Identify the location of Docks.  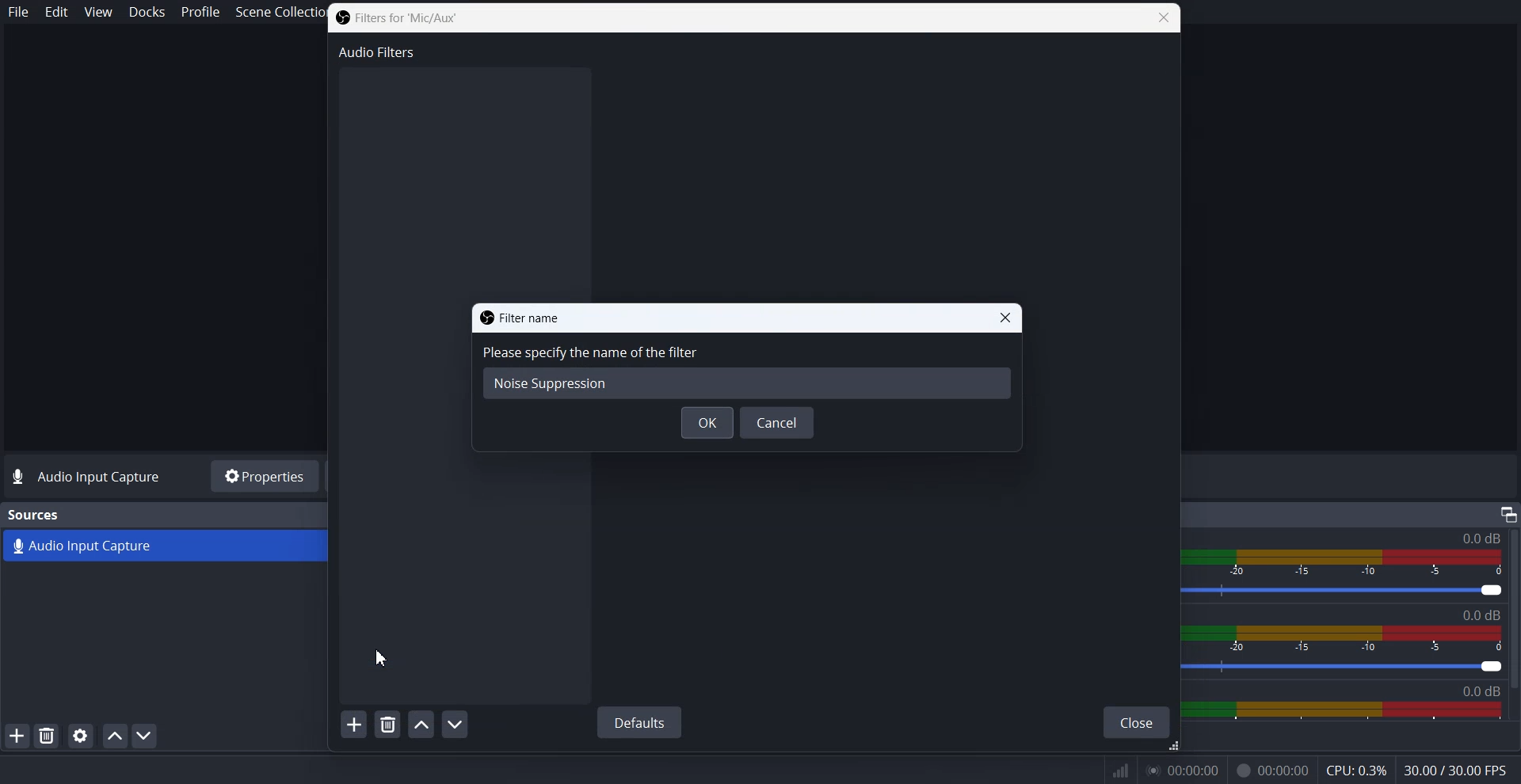
(147, 13).